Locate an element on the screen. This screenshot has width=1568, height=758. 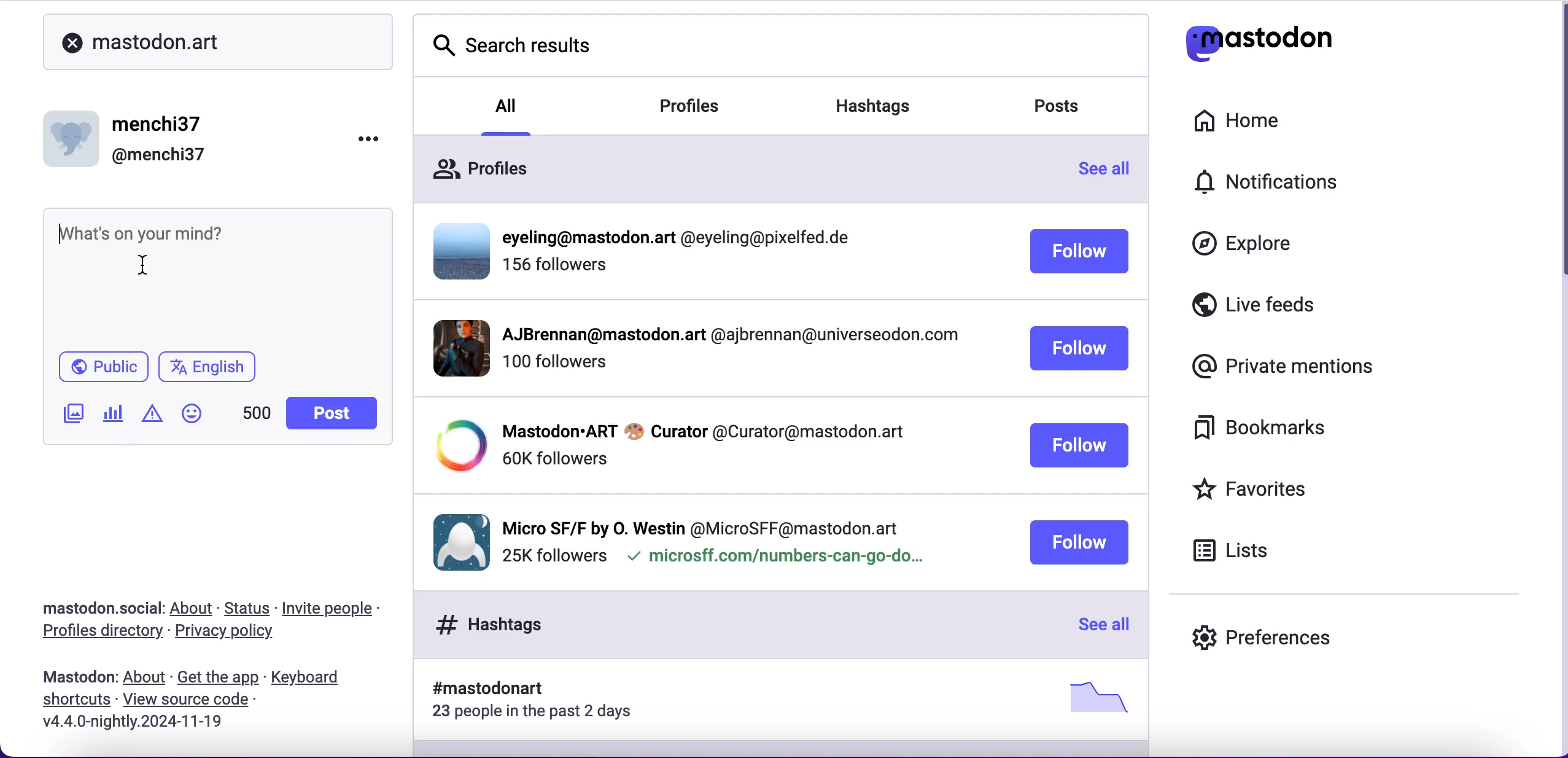
preferences is located at coordinates (1265, 633).